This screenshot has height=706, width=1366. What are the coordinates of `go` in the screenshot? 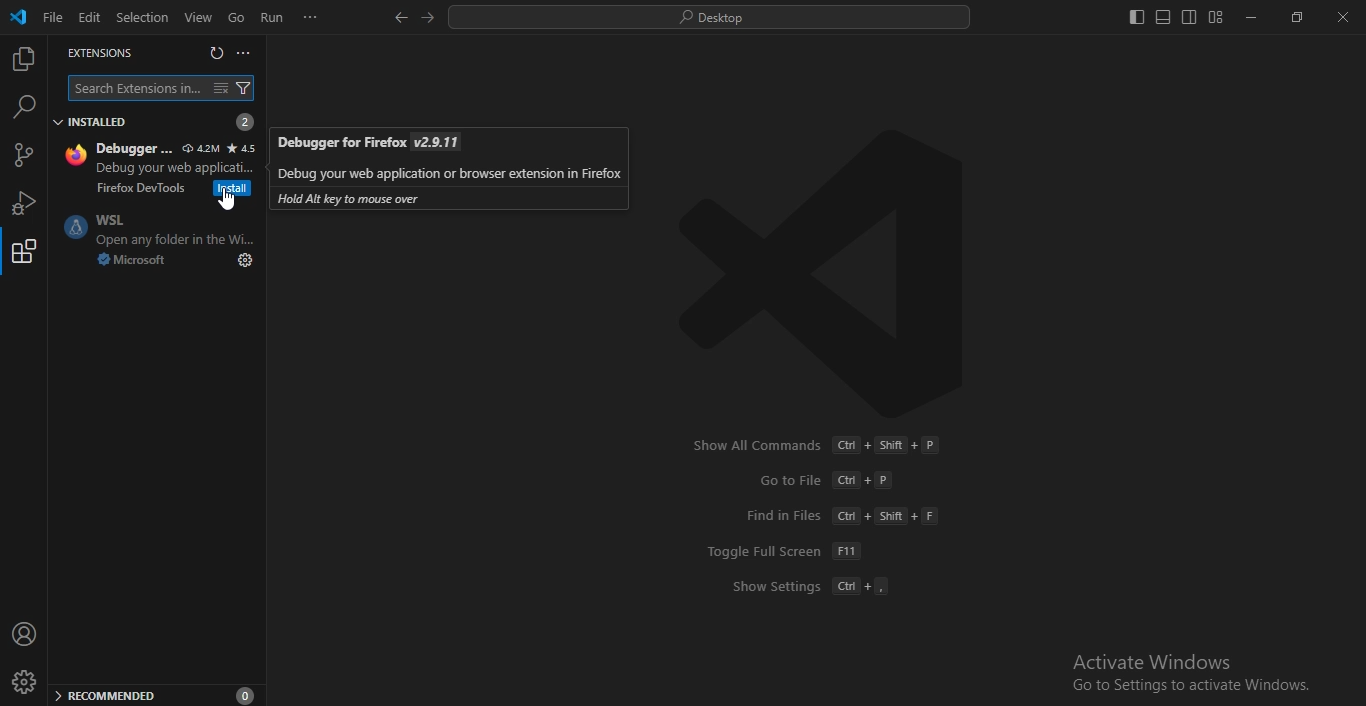 It's located at (233, 18).